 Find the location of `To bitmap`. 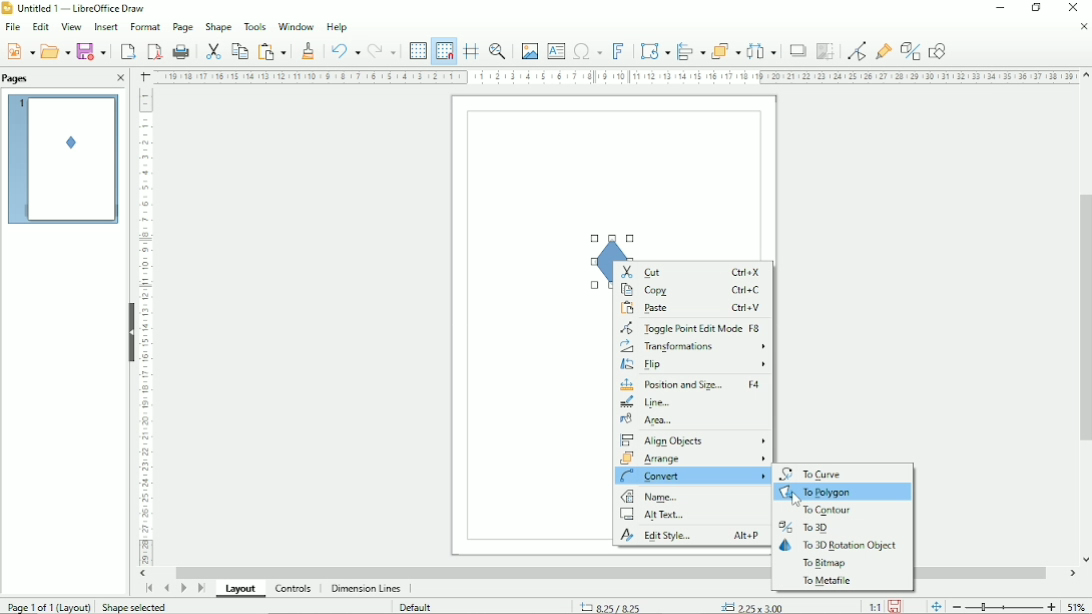

To bitmap is located at coordinates (824, 564).